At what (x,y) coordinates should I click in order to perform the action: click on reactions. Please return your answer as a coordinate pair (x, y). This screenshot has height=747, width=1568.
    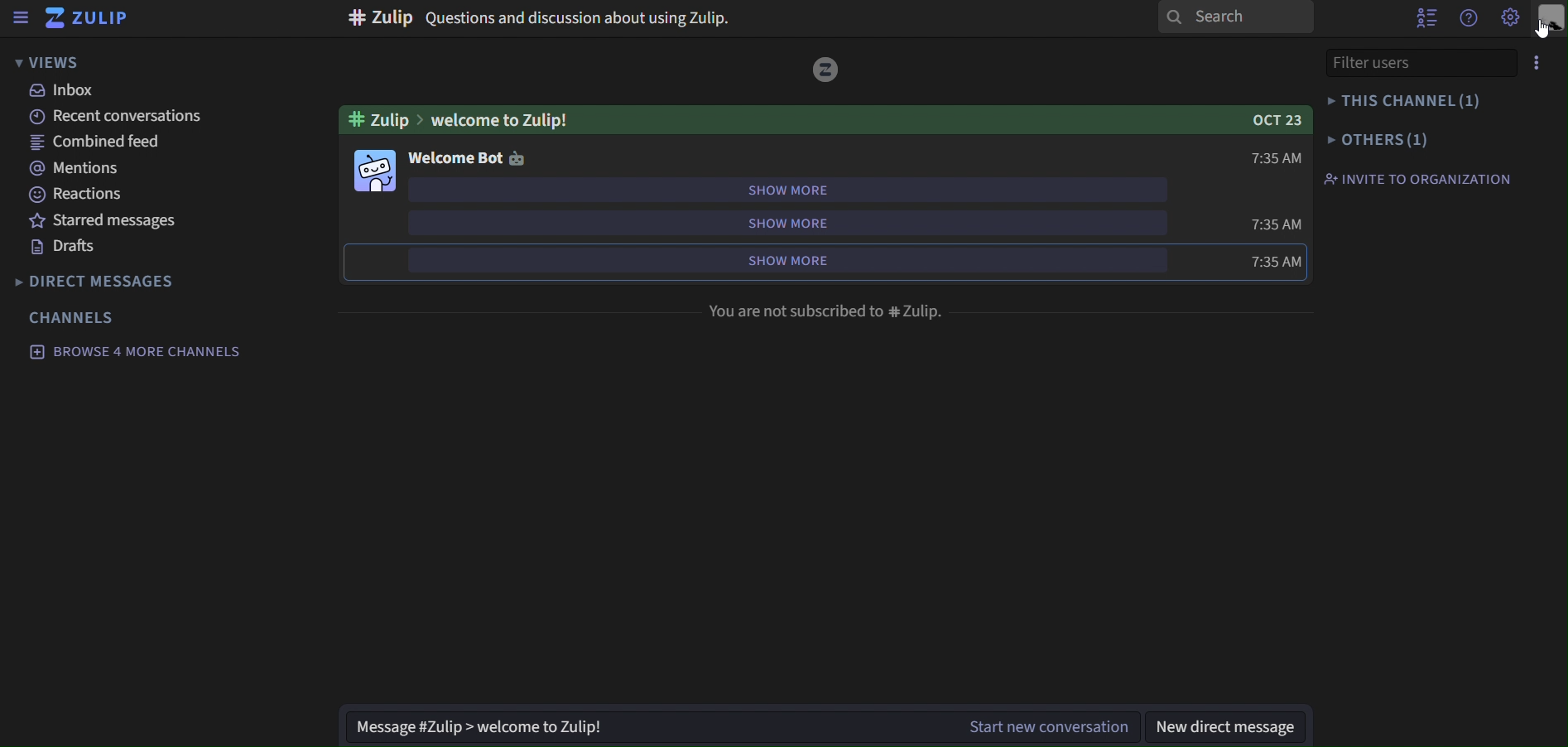
    Looking at the image, I should click on (84, 195).